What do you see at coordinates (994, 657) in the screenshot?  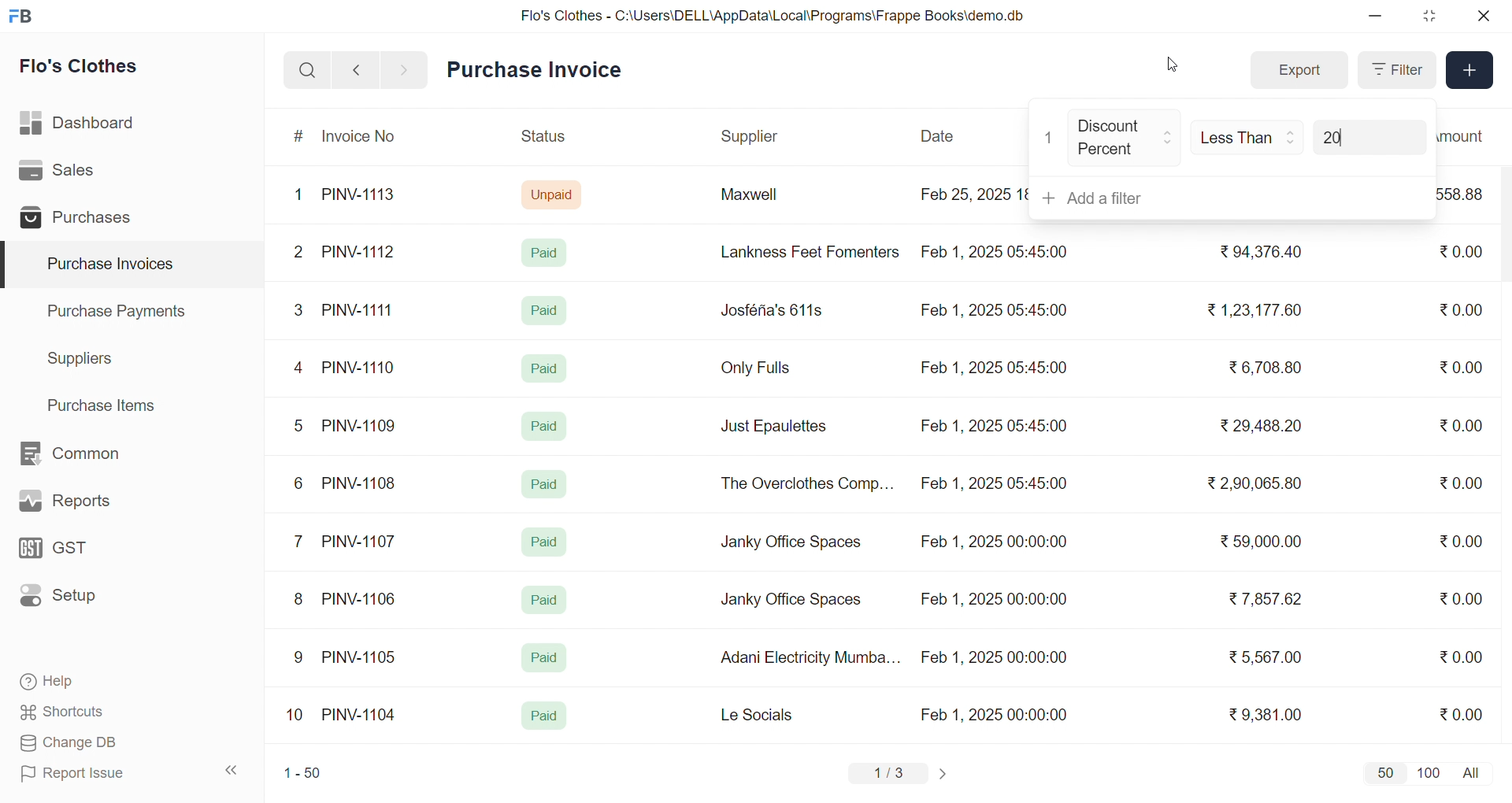 I see `Feb 1, 2025 00:00:00` at bounding box center [994, 657].